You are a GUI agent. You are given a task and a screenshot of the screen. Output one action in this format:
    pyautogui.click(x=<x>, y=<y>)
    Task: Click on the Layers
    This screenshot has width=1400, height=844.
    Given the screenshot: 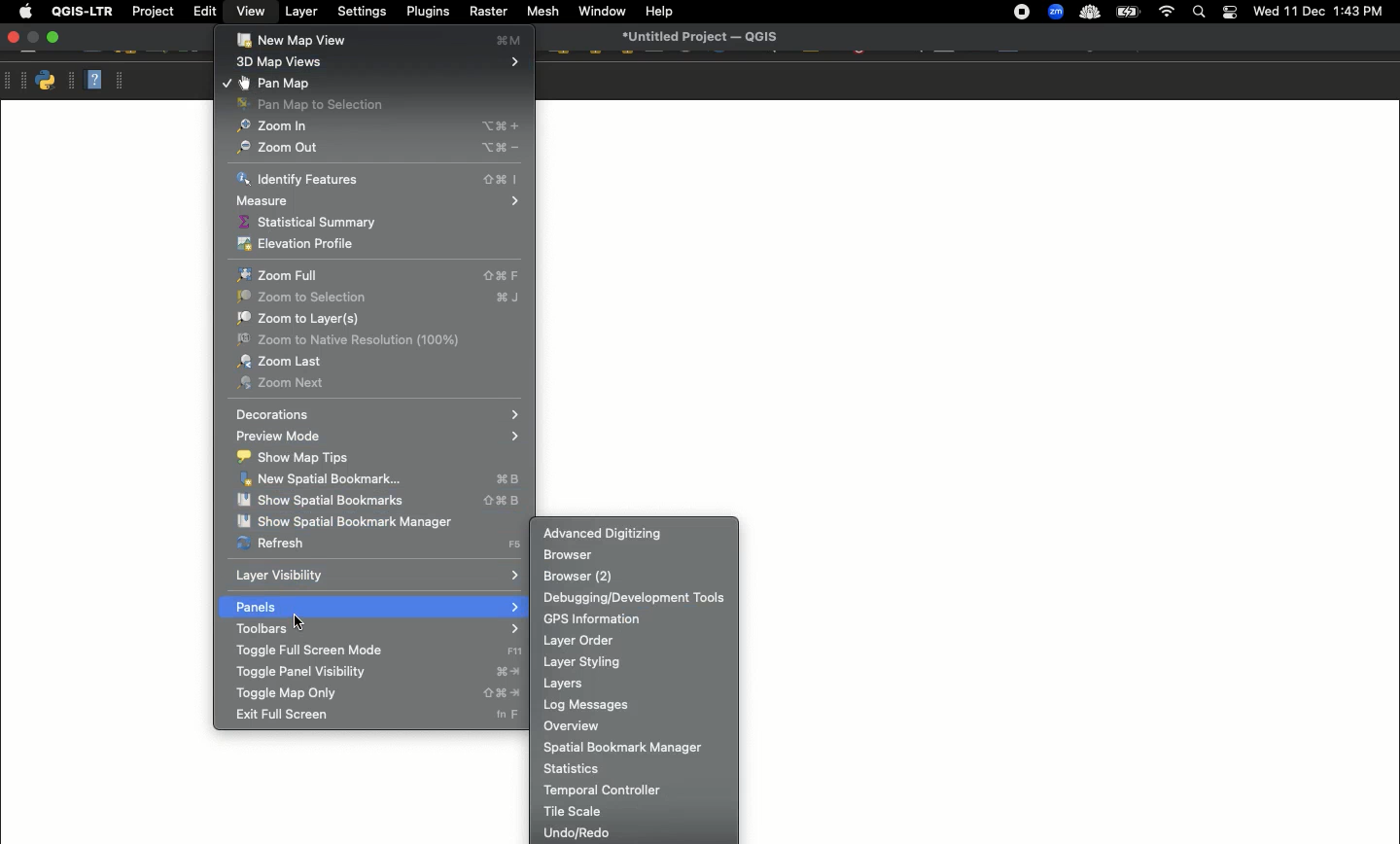 What is the action you would take?
    pyautogui.click(x=632, y=683)
    